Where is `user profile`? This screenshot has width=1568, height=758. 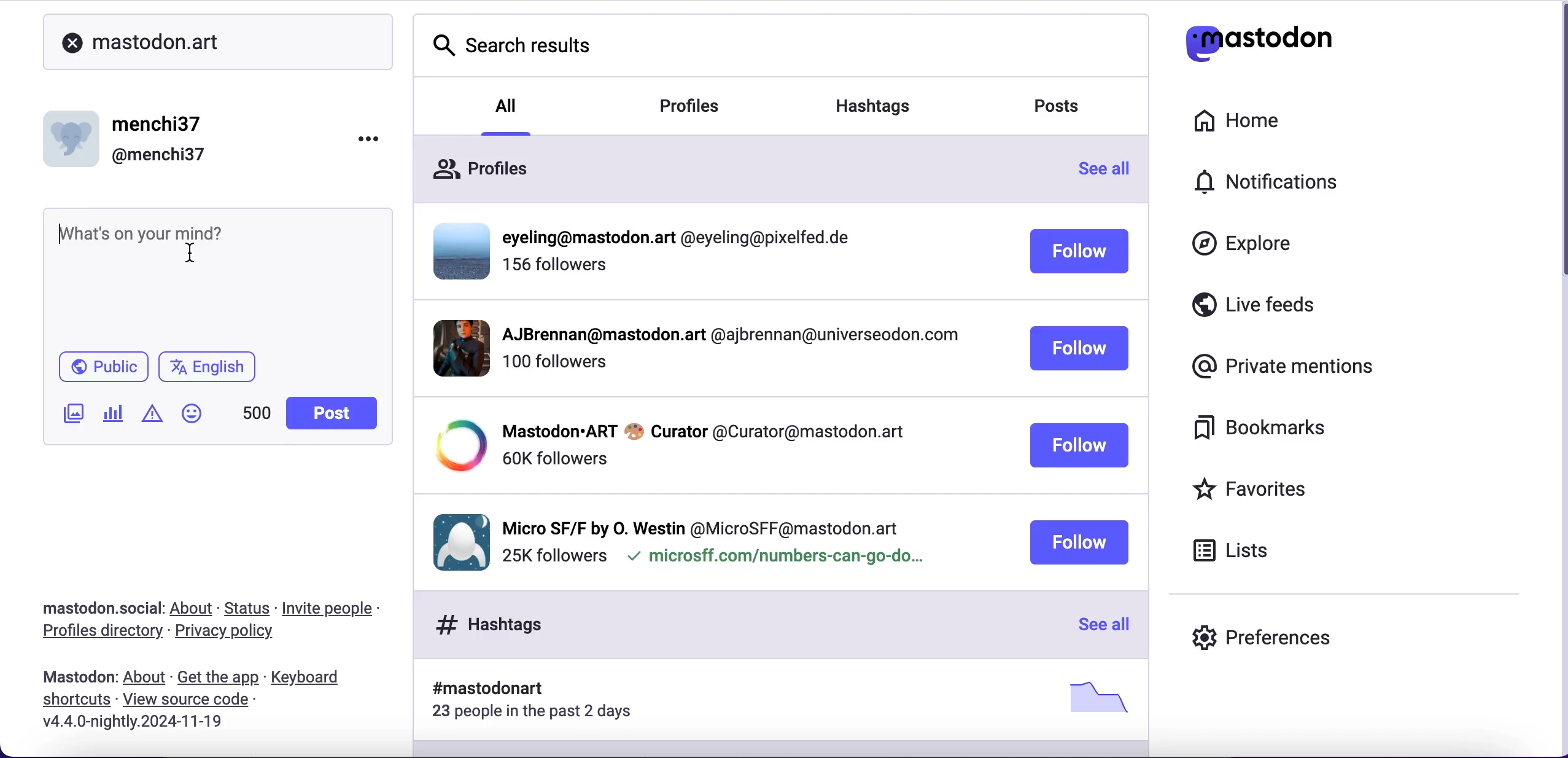
user profile is located at coordinates (718, 536).